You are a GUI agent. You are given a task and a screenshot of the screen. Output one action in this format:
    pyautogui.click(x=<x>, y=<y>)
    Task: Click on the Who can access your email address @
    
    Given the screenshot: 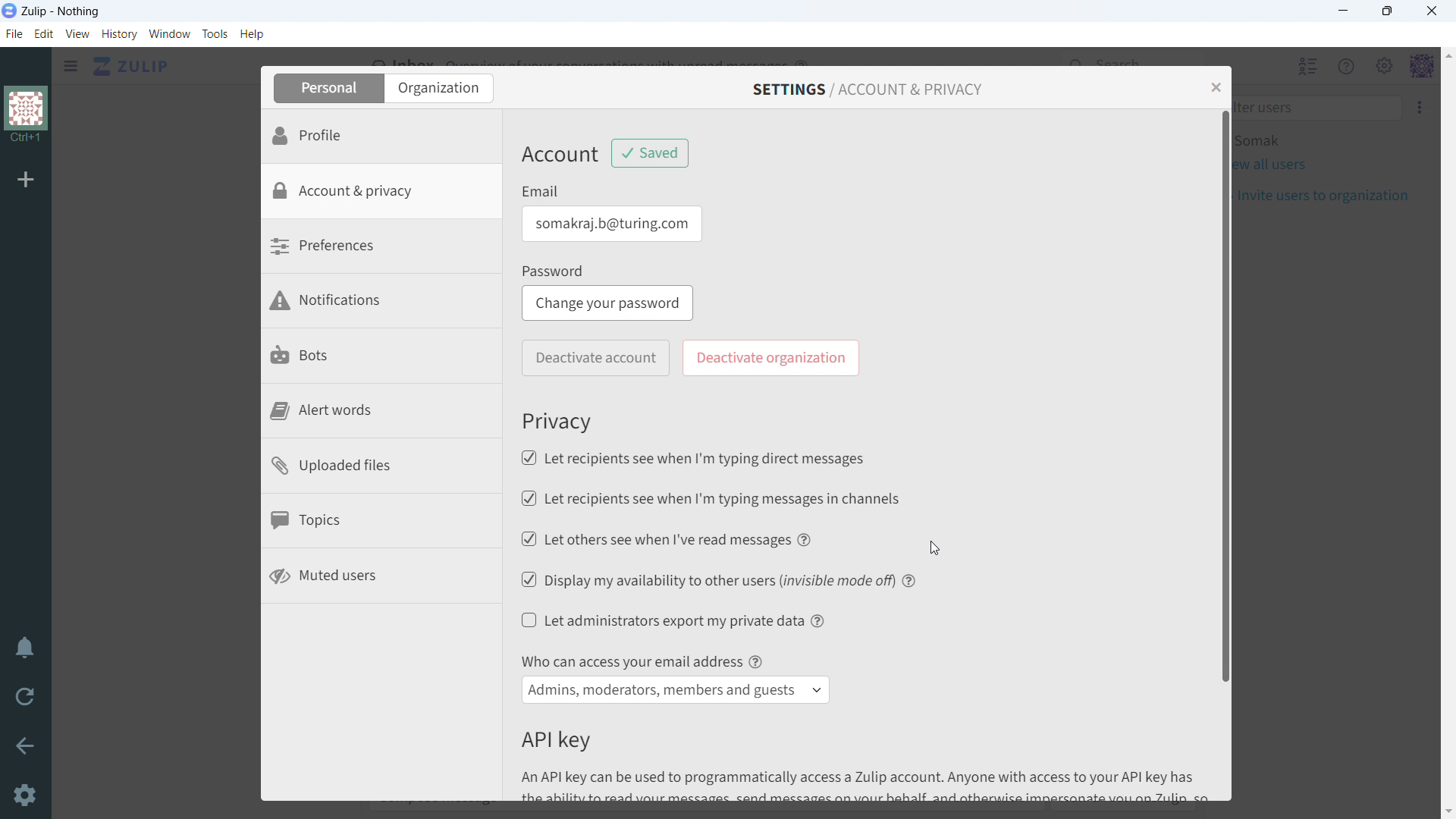 What is the action you would take?
    pyautogui.click(x=649, y=661)
    